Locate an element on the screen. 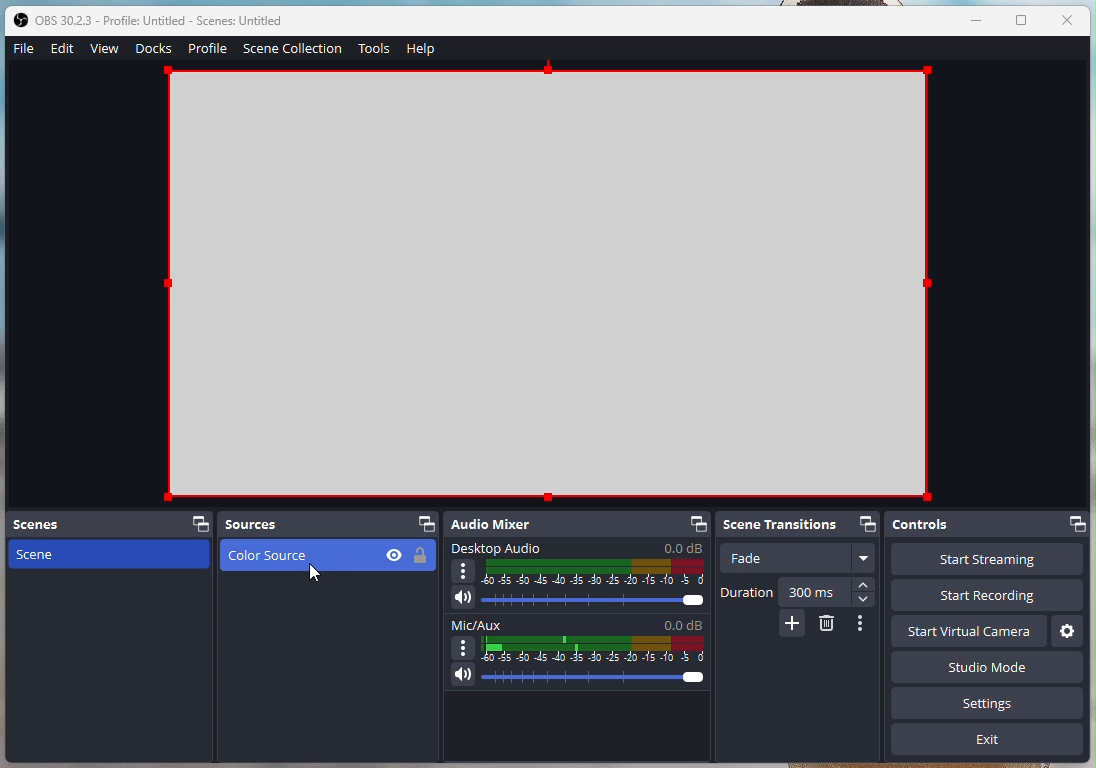 This screenshot has width=1096, height=768. Added is located at coordinates (792, 625).